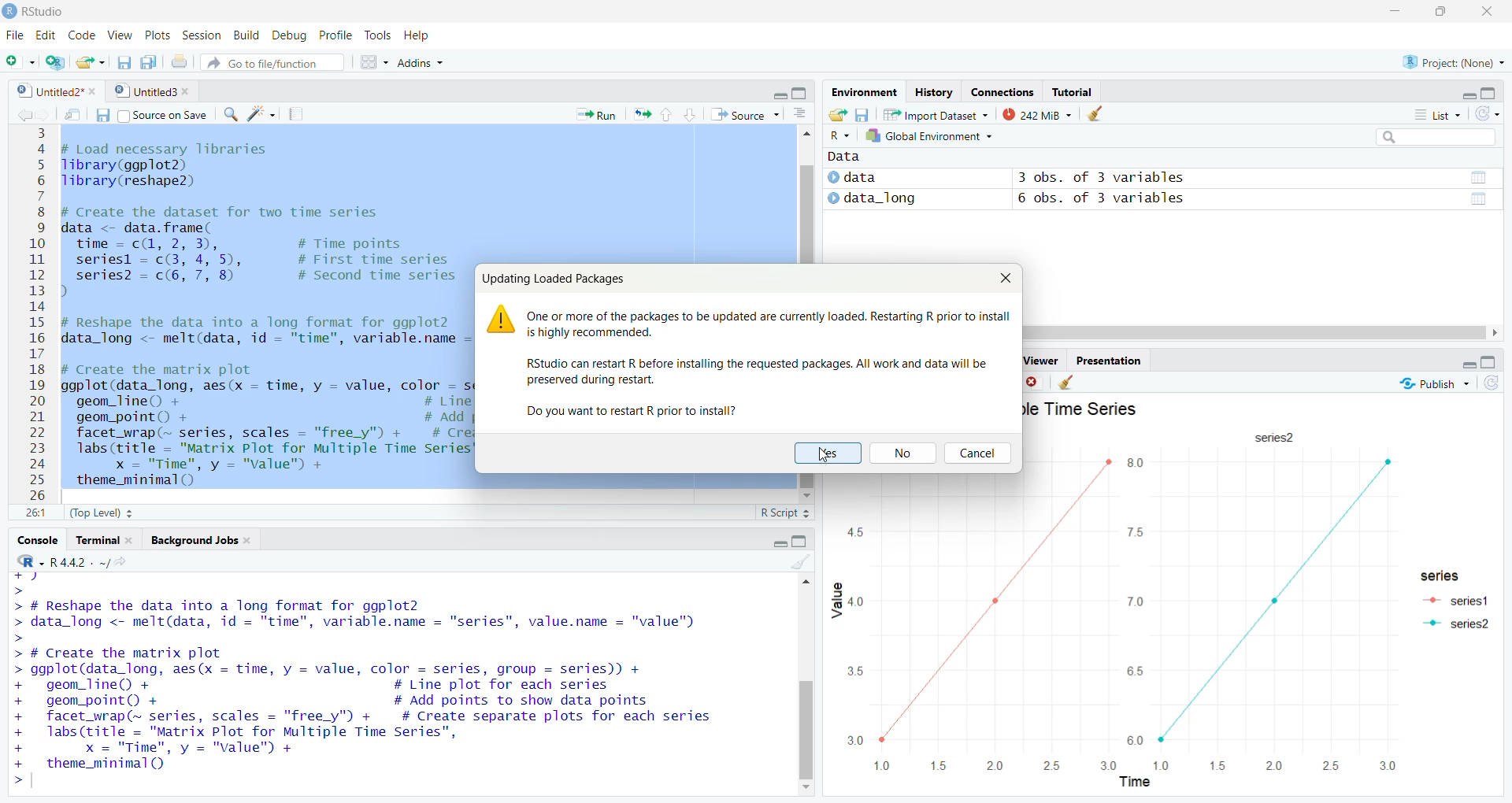  What do you see at coordinates (936, 135) in the screenshot?
I see `Global Environment ` at bounding box center [936, 135].